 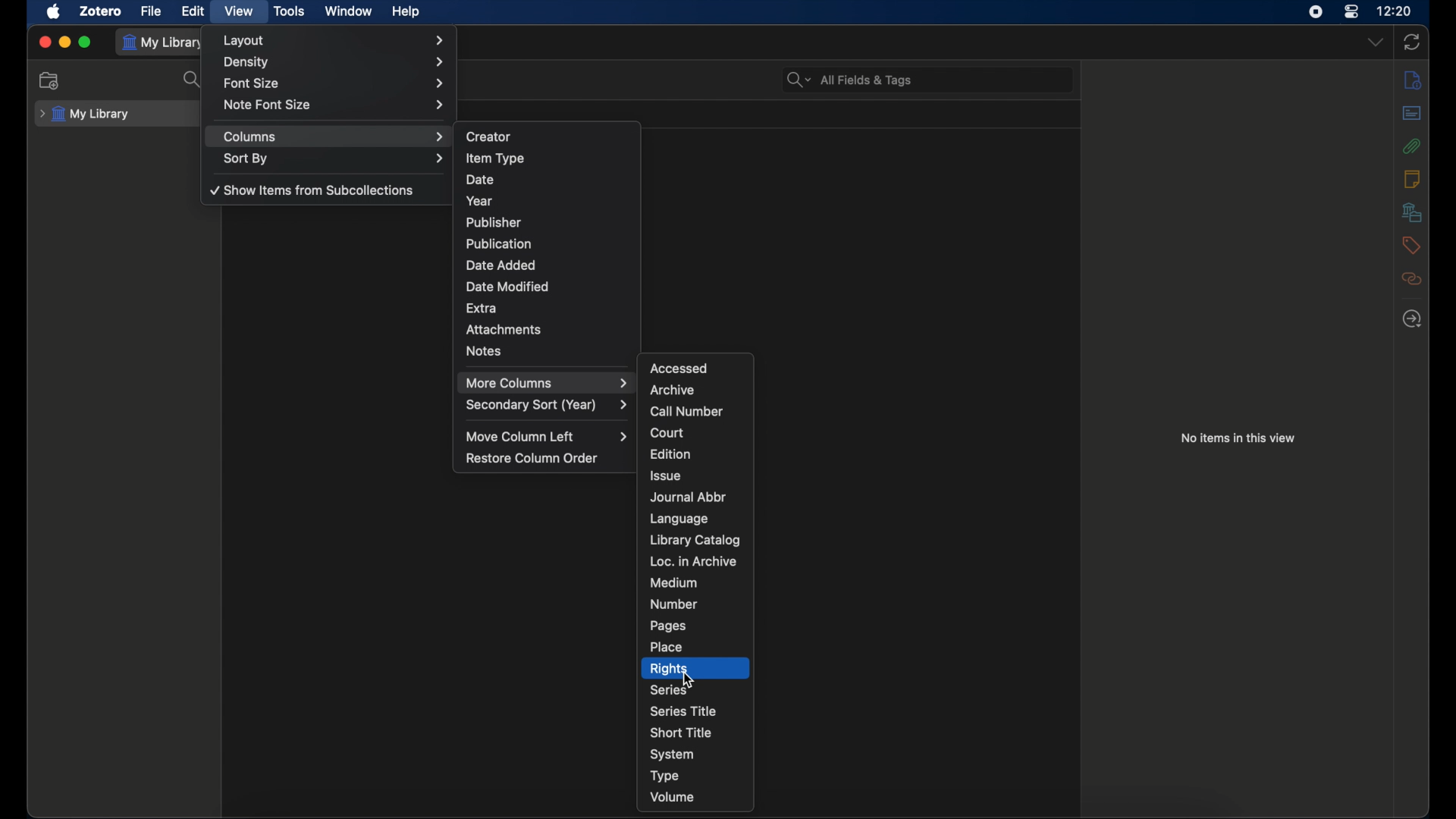 I want to click on series title, so click(x=683, y=711).